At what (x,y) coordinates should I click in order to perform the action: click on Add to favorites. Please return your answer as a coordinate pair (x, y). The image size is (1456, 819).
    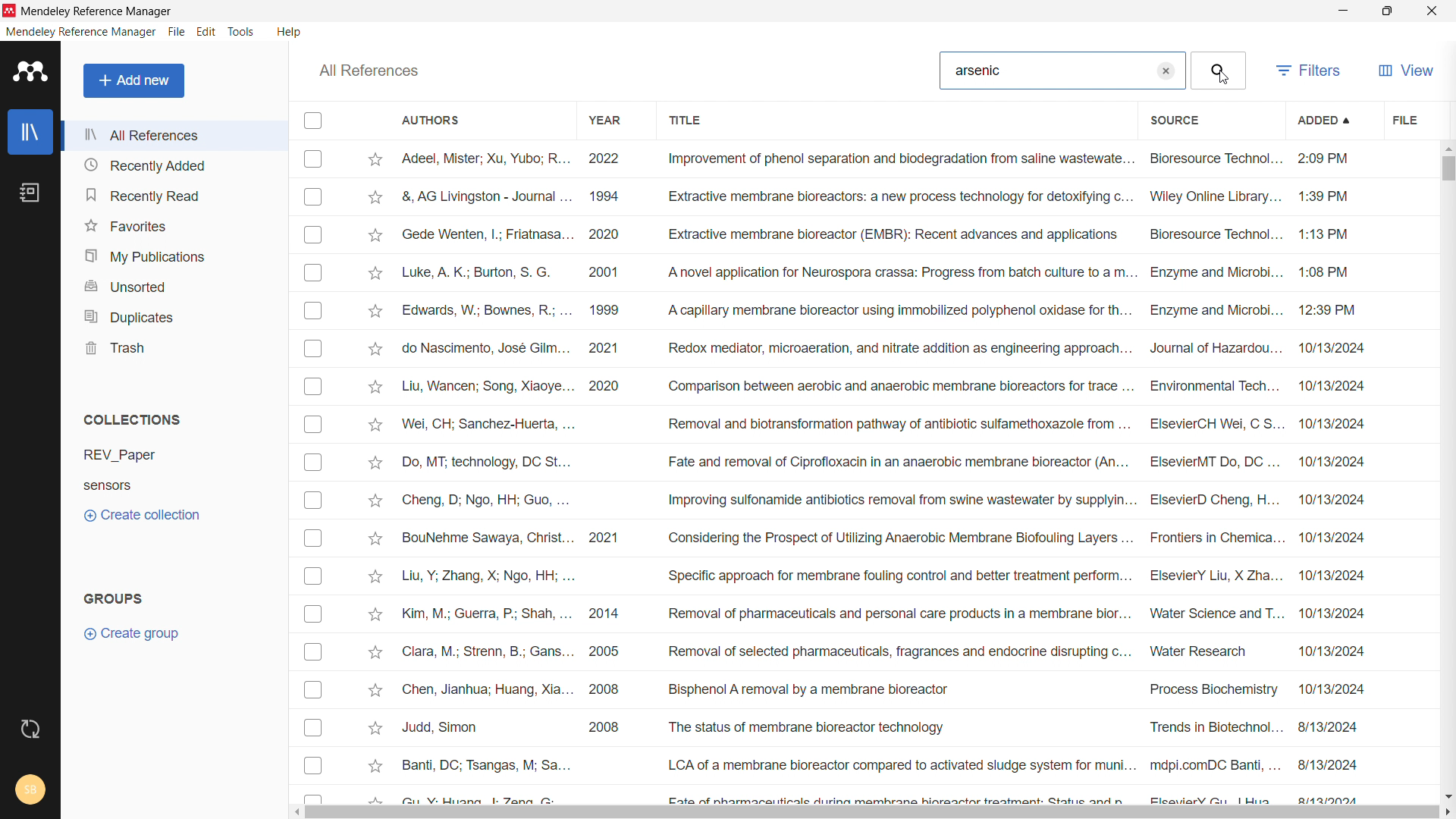
    Looking at the image, I should click on (378, 347).